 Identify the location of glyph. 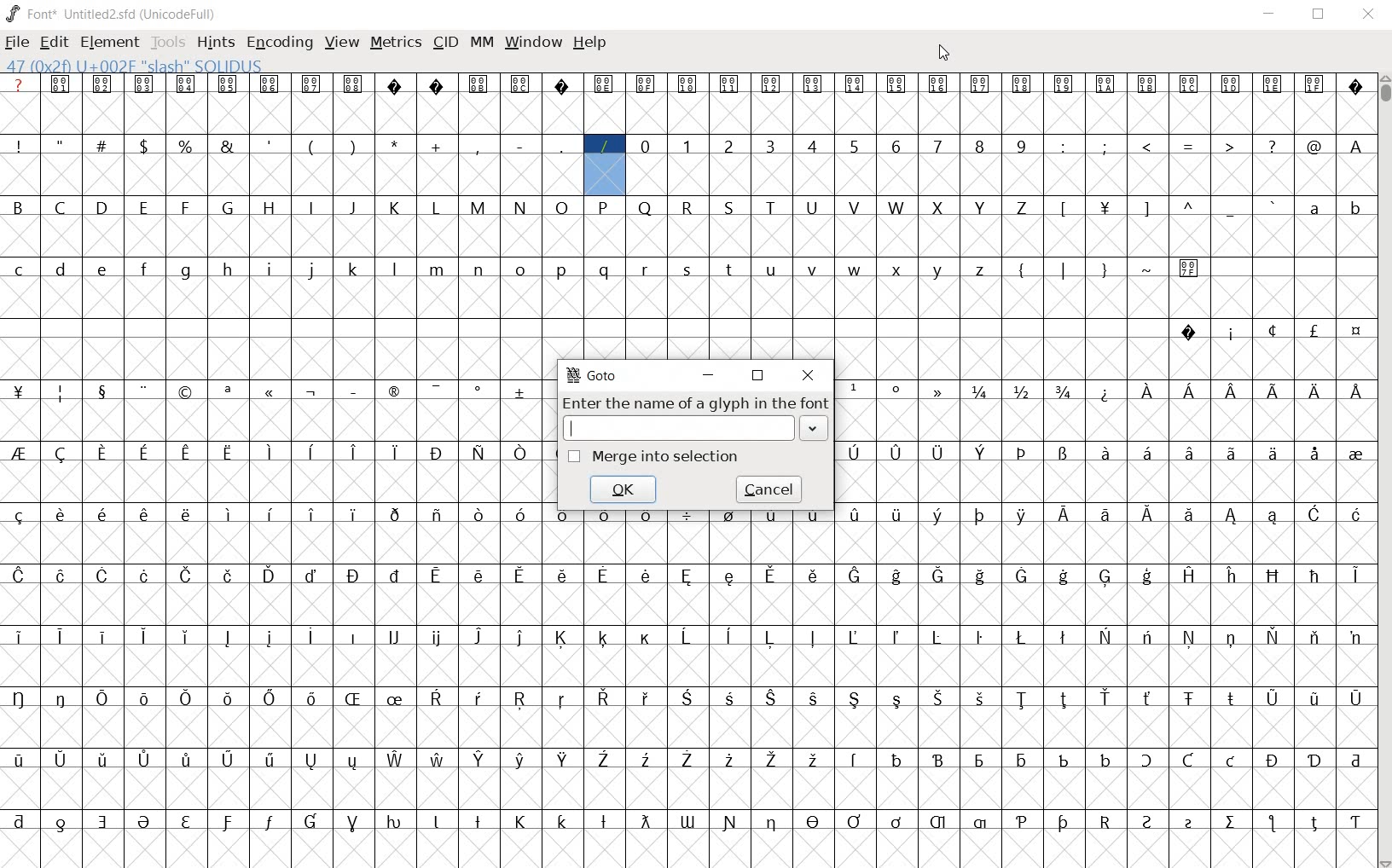
(1357, 211).